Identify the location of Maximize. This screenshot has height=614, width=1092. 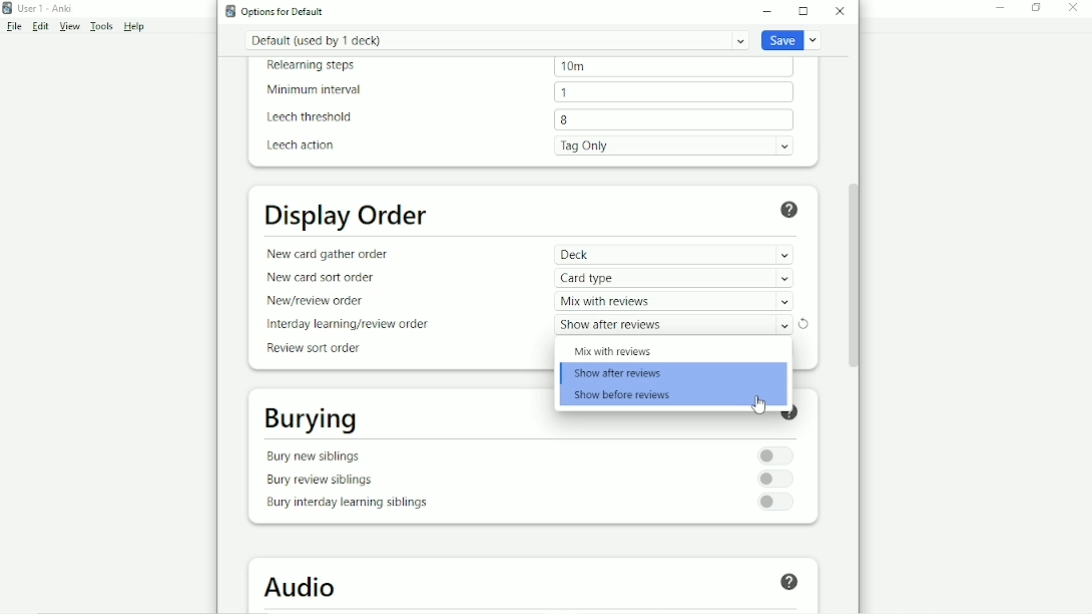
(803, 11).